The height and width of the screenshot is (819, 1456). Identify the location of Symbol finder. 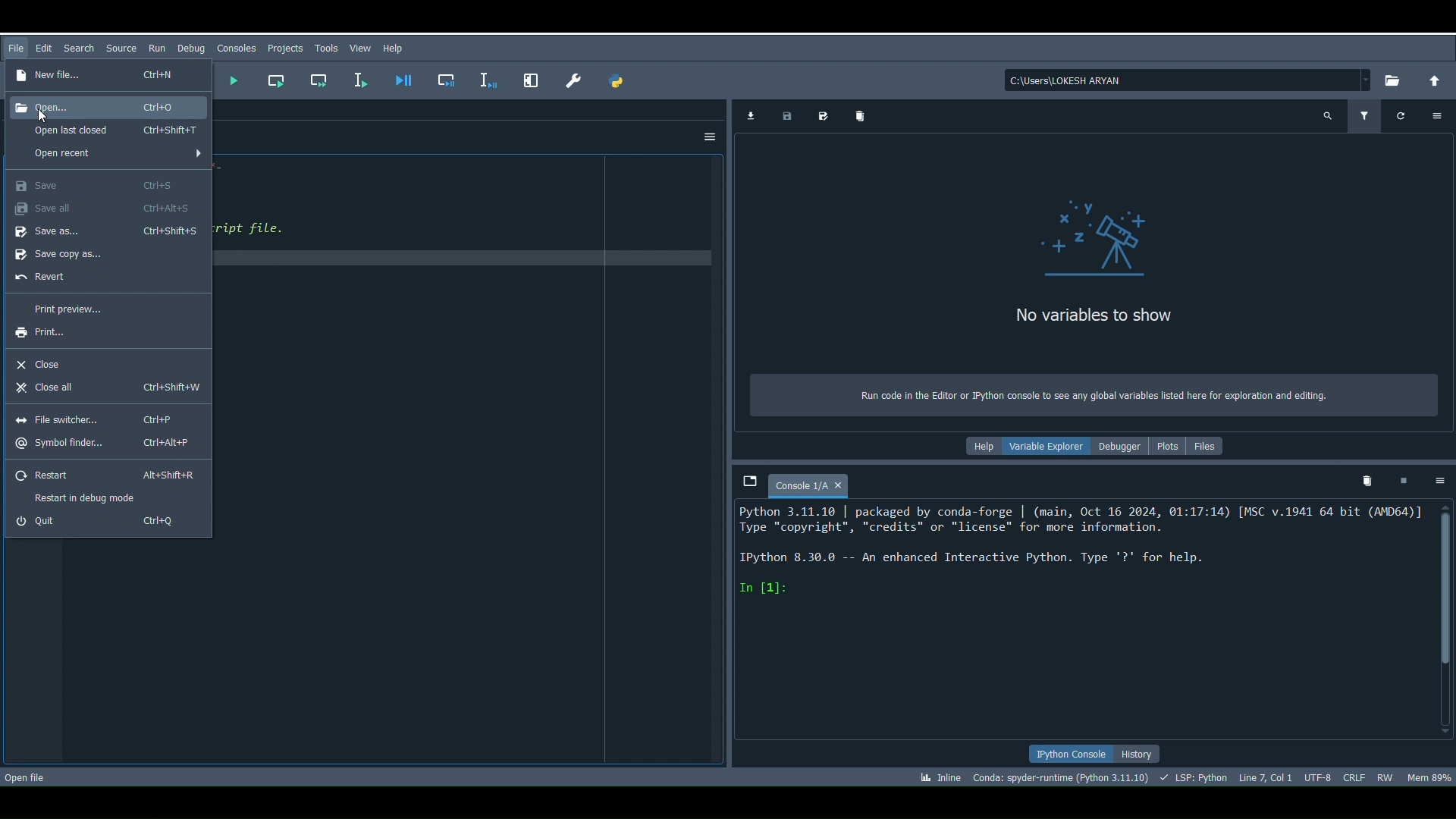
(105, 441).